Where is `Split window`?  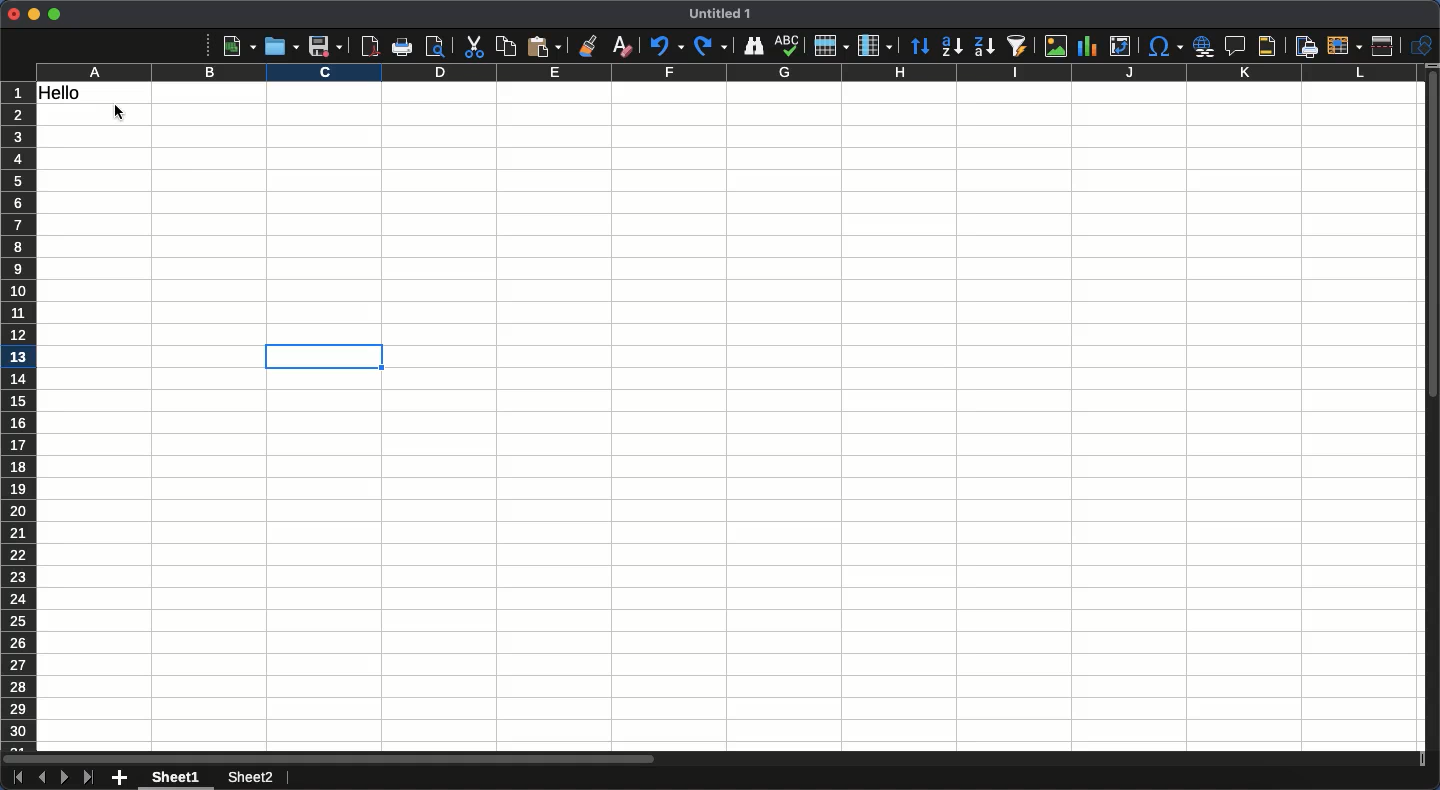
Split window is located at coordinates (1387, 46).